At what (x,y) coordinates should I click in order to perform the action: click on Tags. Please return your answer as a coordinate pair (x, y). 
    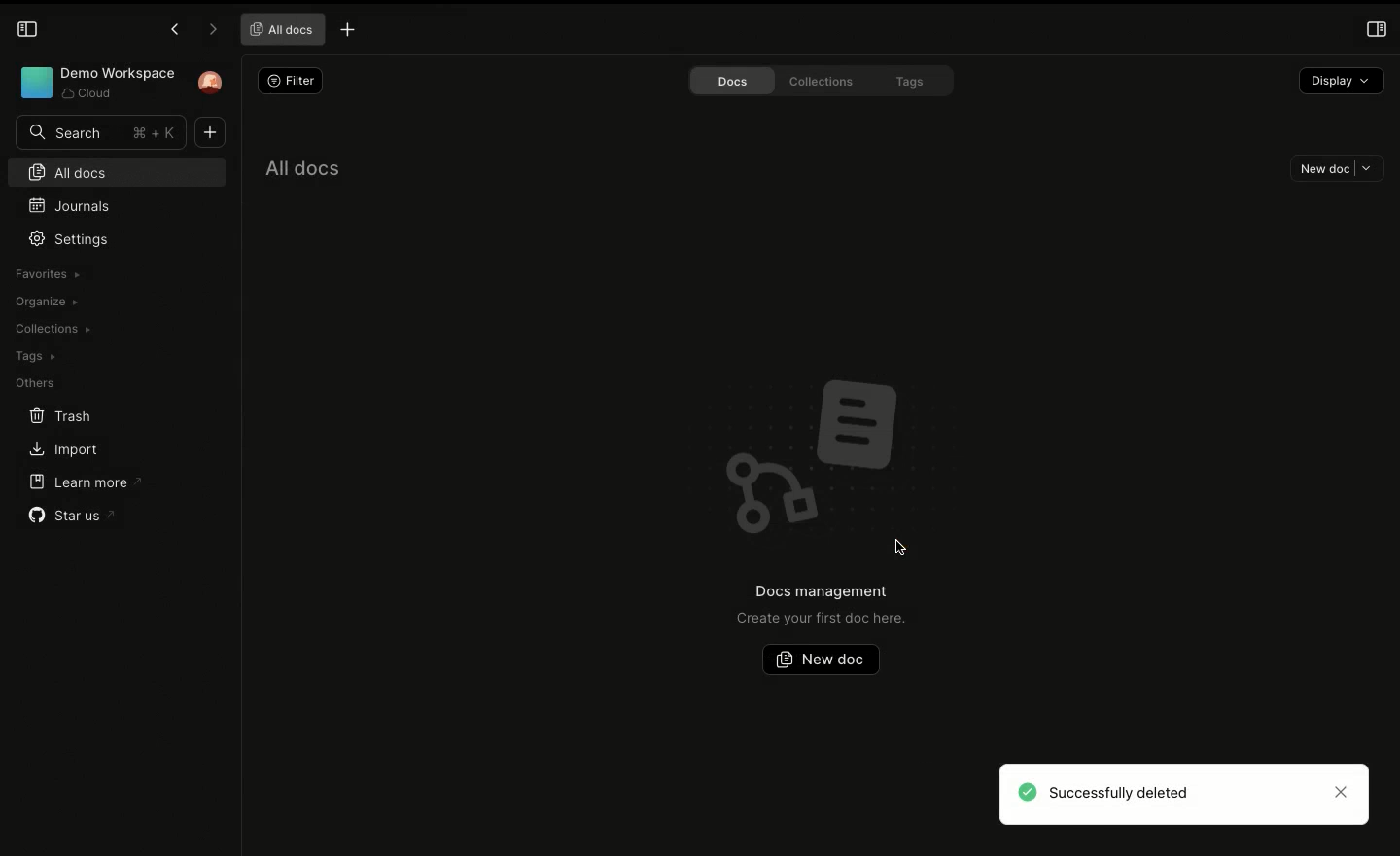
    Looking at the image, I should click on (920, 82).